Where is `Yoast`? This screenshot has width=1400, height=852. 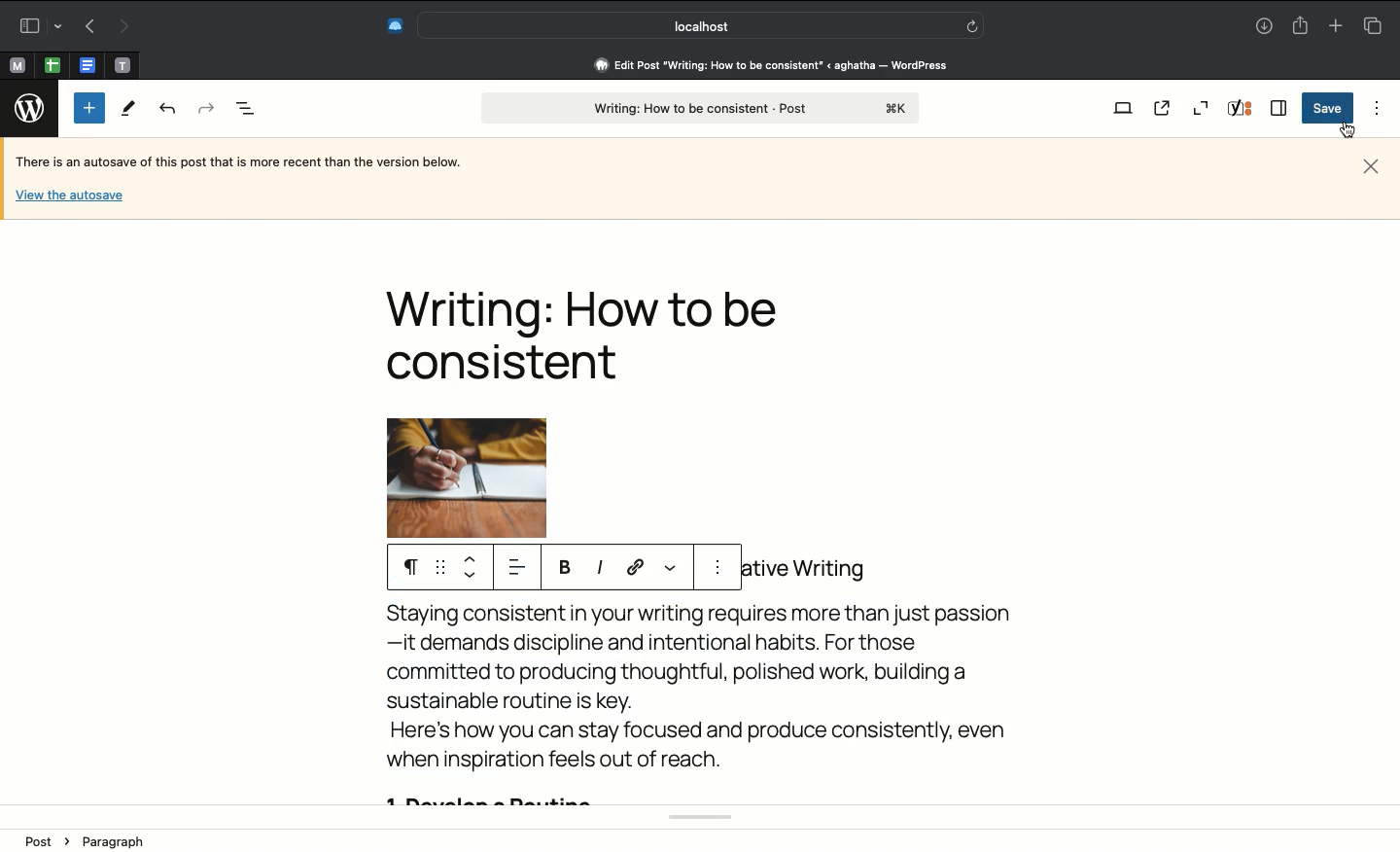
Yoast is located at coordinates (1242, 110).